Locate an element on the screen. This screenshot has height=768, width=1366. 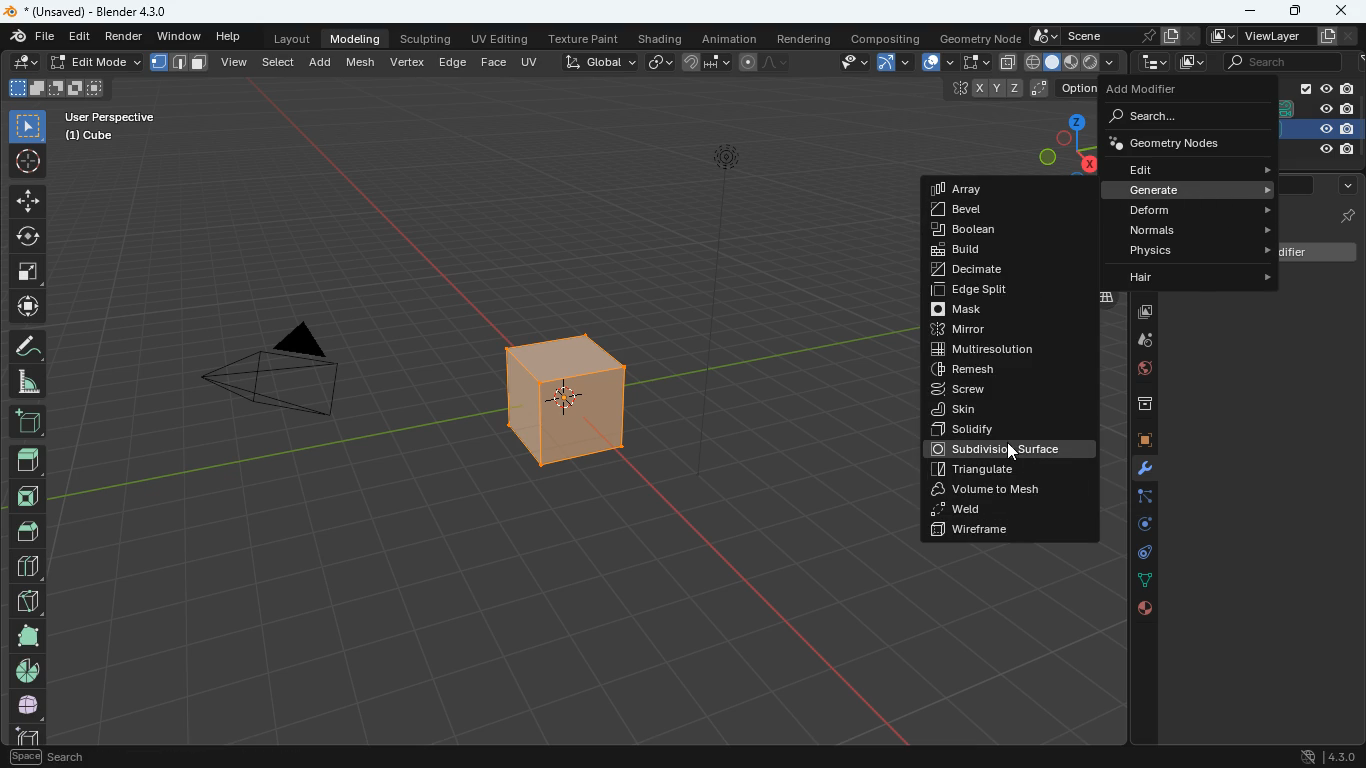
file is located at coordinates (28, 37).